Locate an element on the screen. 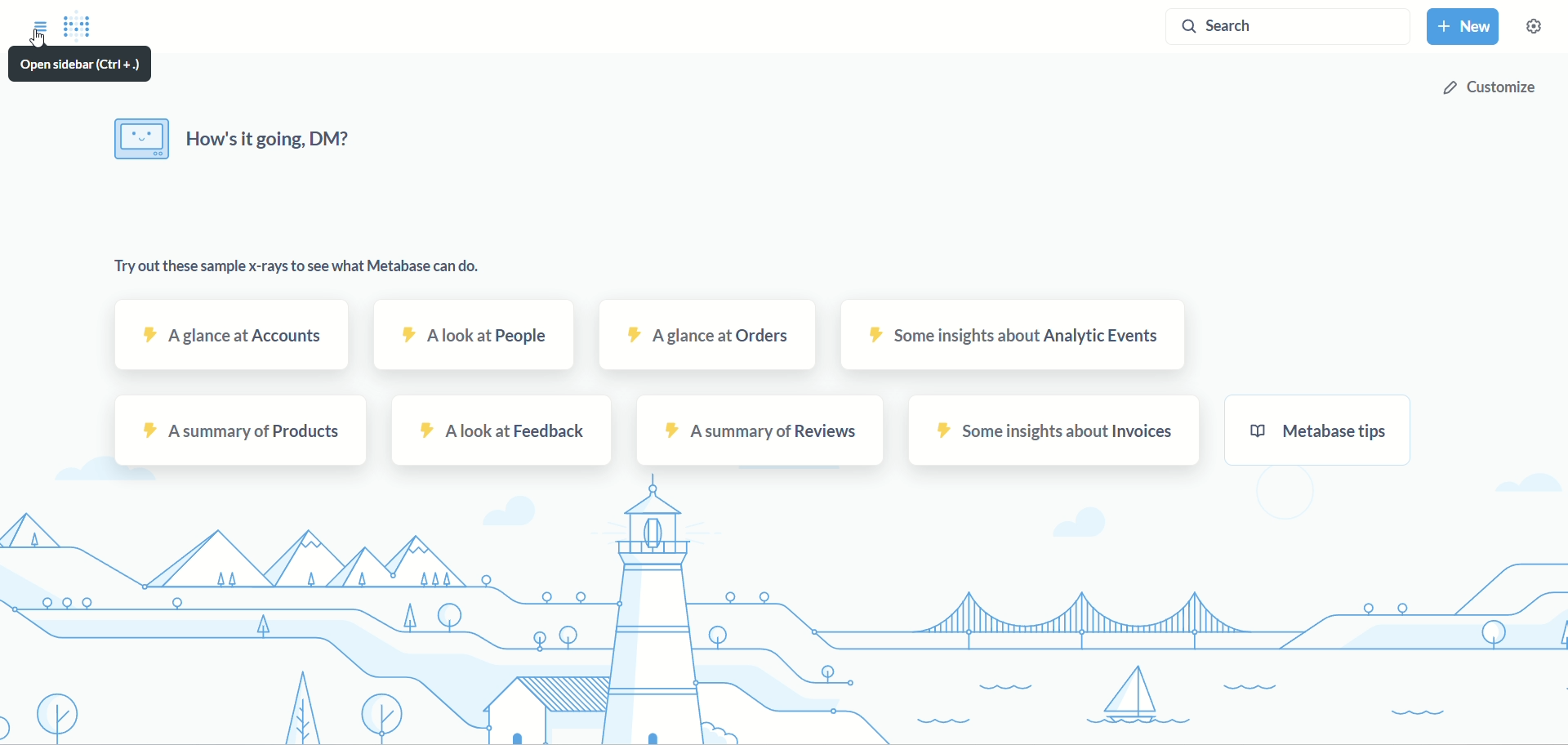  A summary of products is located at coordinates (242, 431).